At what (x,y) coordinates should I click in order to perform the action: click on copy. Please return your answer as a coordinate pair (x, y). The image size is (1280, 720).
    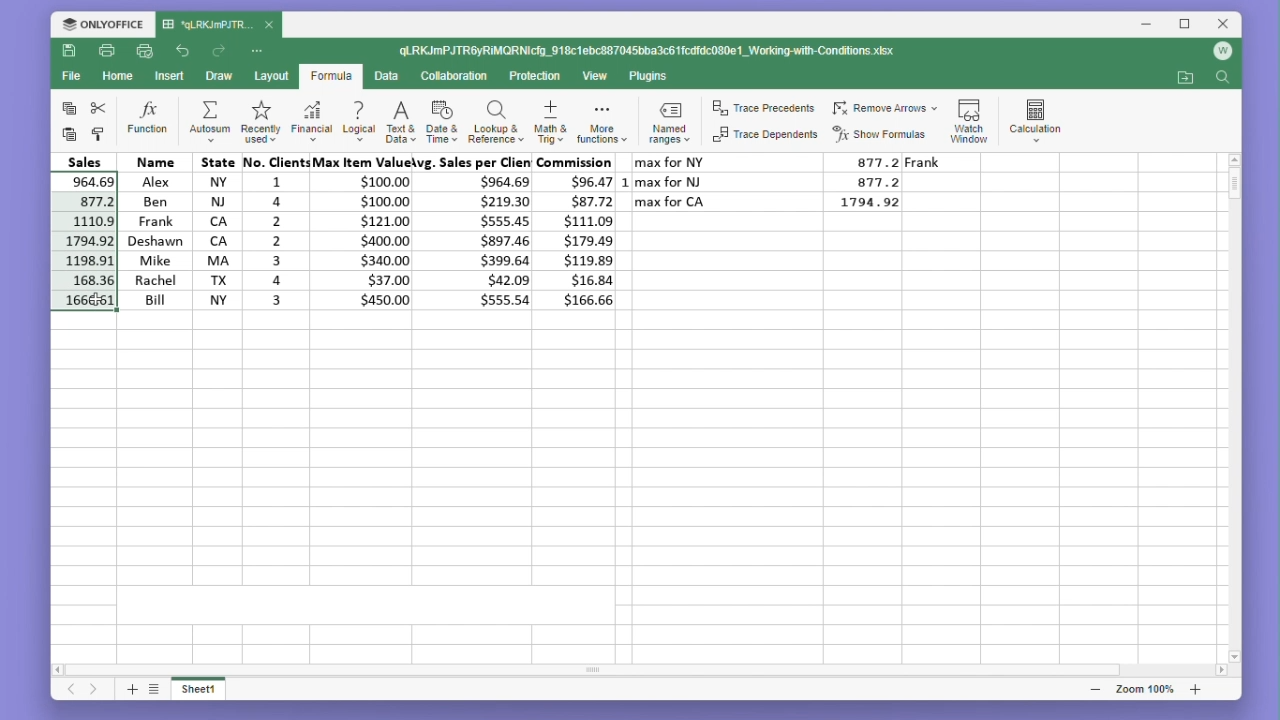
    Looking at the image, I should click on (66, 108).